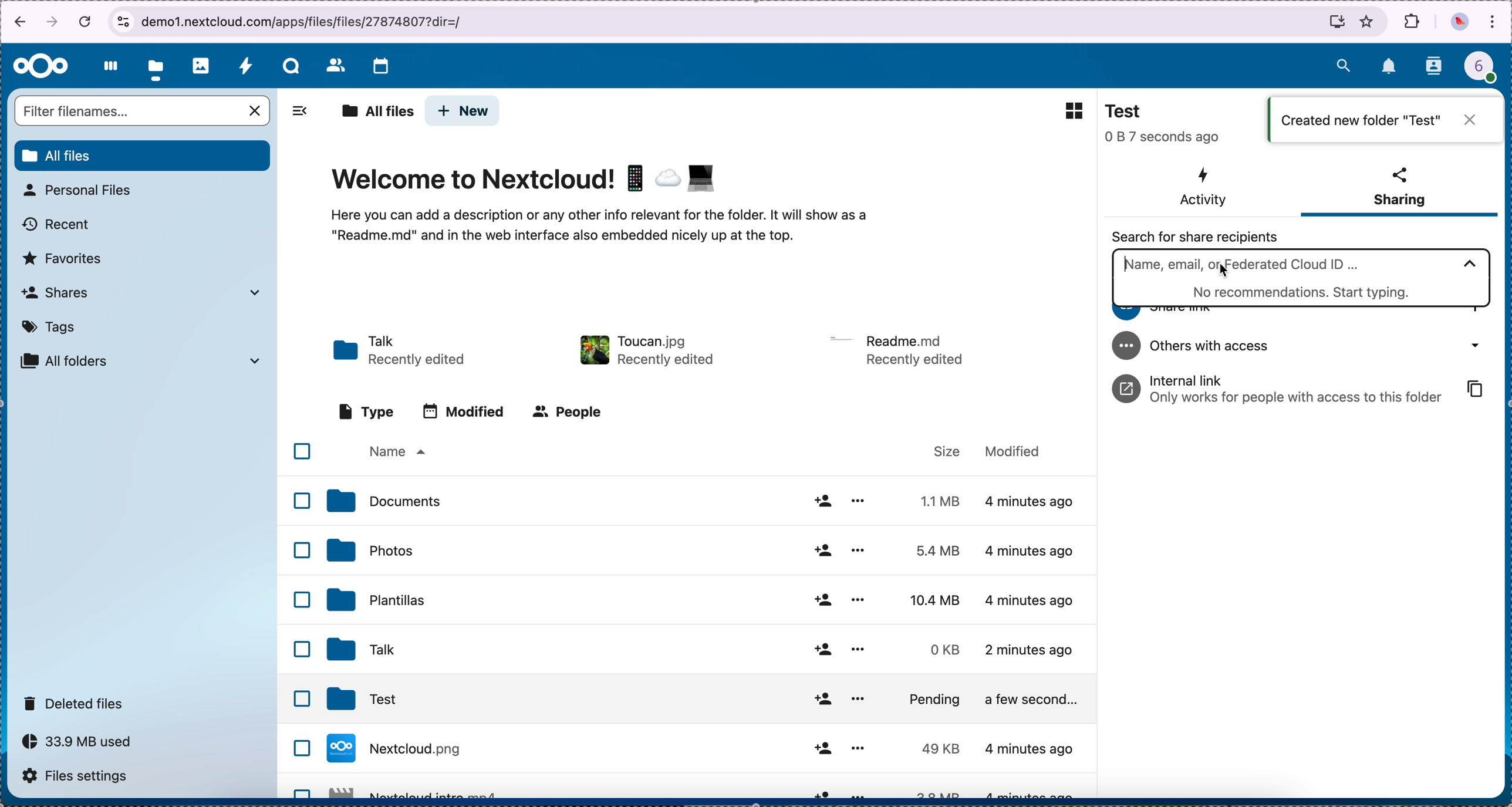  I want to click on all folders, so click(141, 361).